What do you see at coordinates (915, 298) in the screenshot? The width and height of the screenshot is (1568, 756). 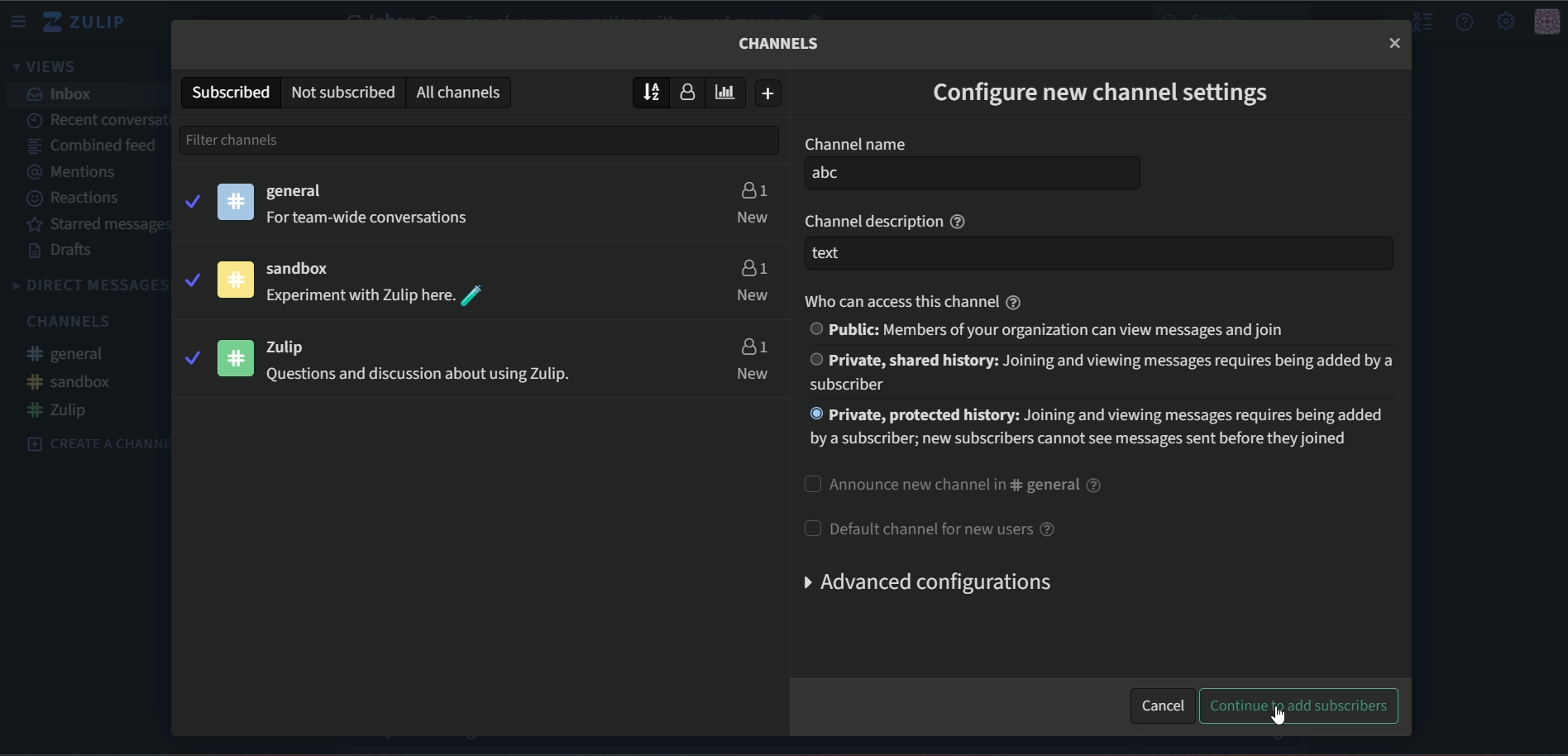 I see `Who can access this channel` at bounding box center [915, 298].